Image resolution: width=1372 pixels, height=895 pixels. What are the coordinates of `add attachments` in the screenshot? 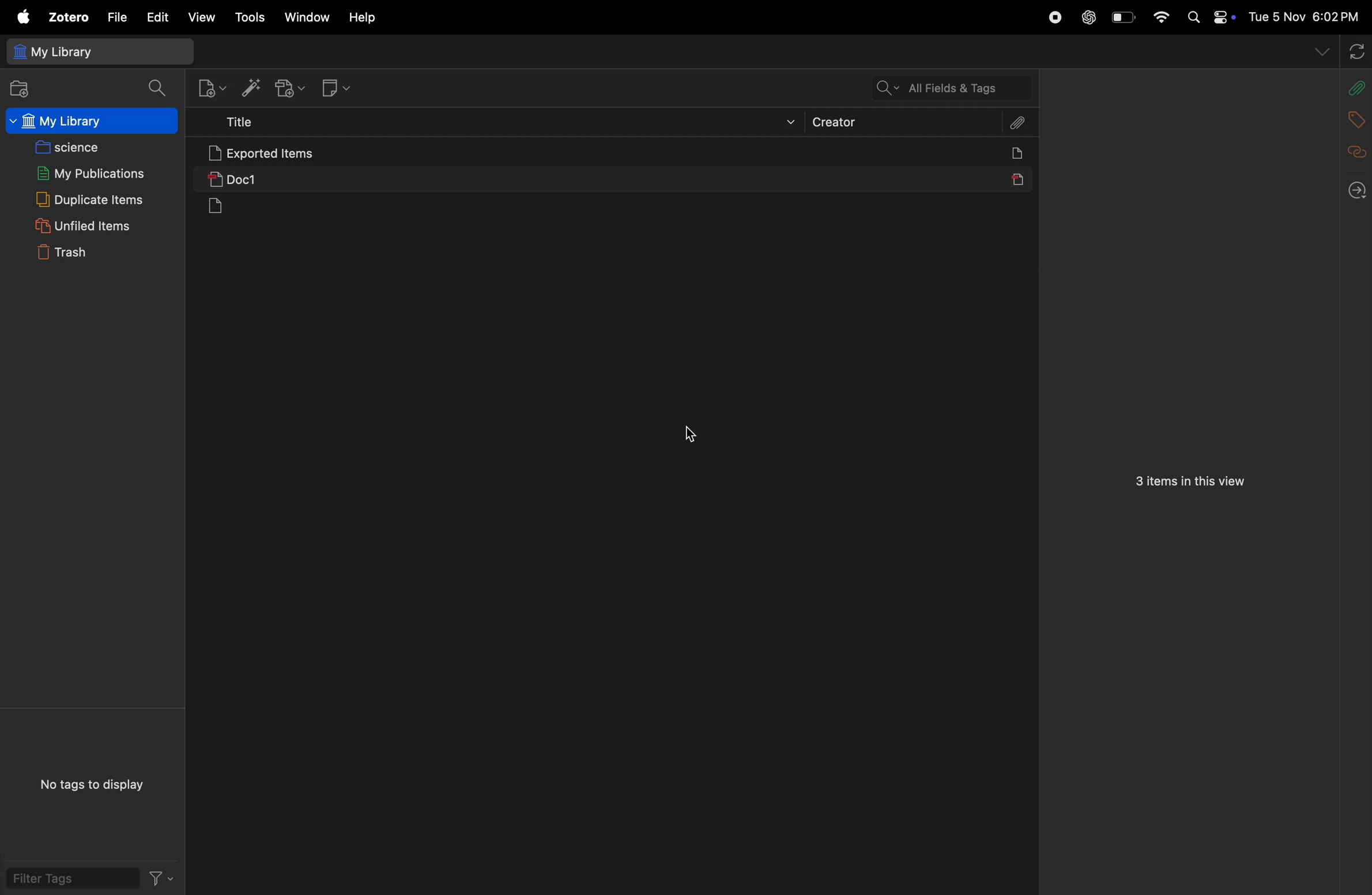 It's located at (295, 85).